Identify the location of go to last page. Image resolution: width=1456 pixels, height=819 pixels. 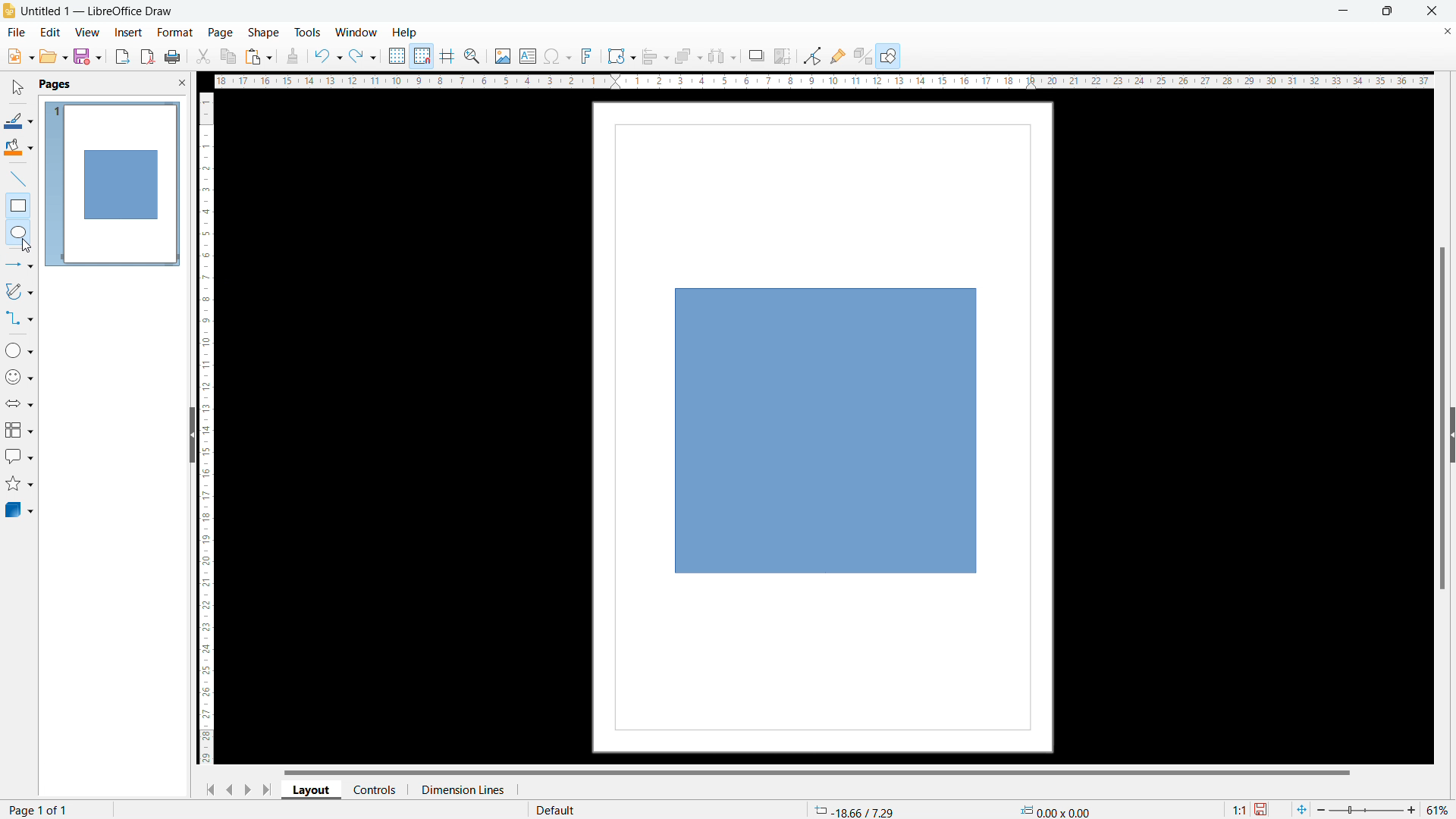
(268, 789).